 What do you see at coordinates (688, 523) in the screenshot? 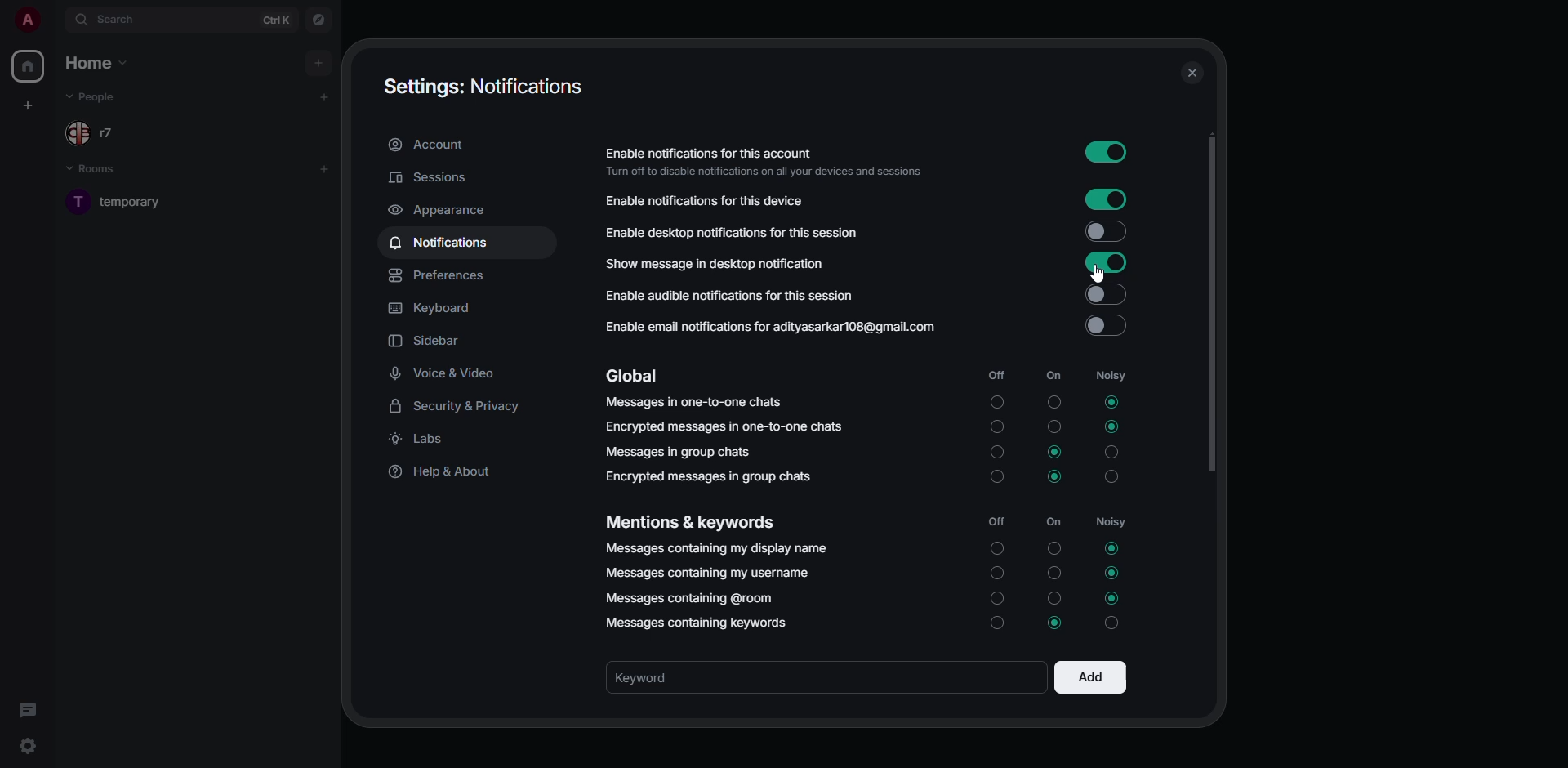
I see `mentions & keywords` at bounding box center [688, 523].